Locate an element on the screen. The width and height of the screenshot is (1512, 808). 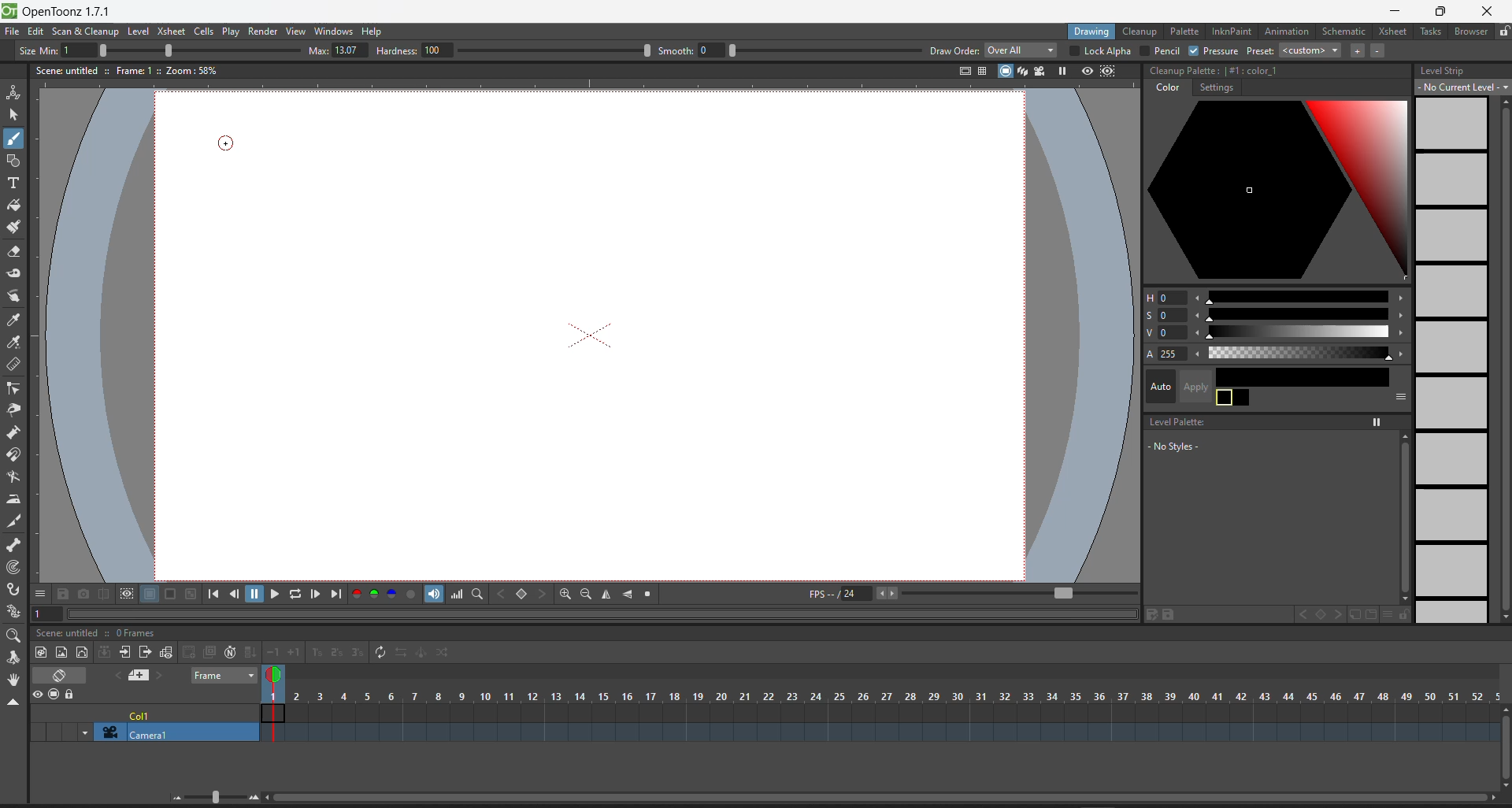
paint brush tool is located at coordinates (14, 228).